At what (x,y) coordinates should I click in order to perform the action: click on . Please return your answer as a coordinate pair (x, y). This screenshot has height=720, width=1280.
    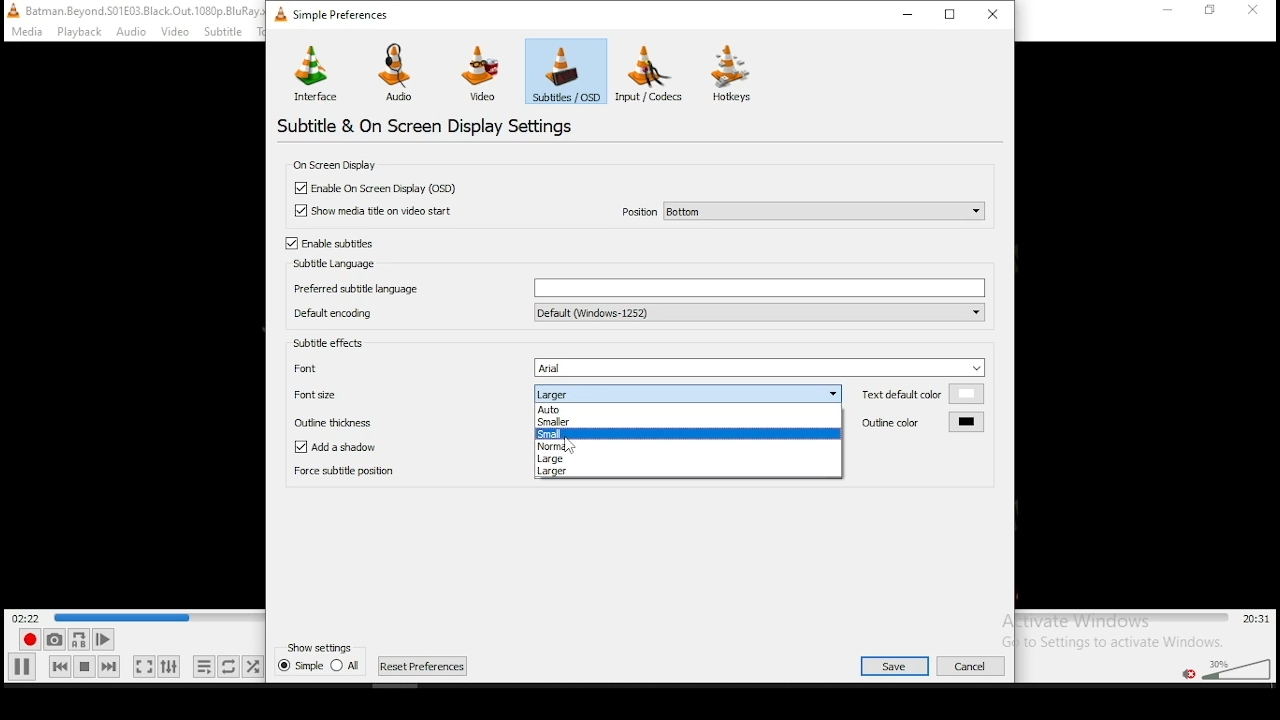
    Looking at the image, I should click on (977, 664).